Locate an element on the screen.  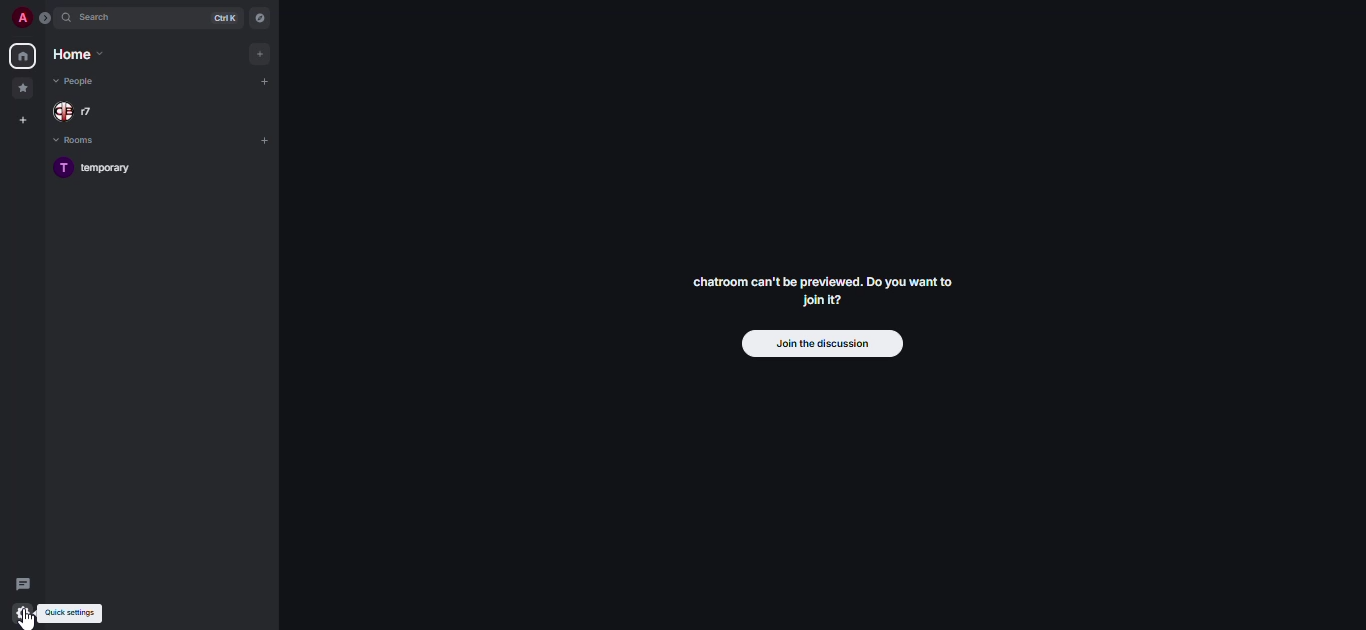
profile is located at coordinates (20, 17).